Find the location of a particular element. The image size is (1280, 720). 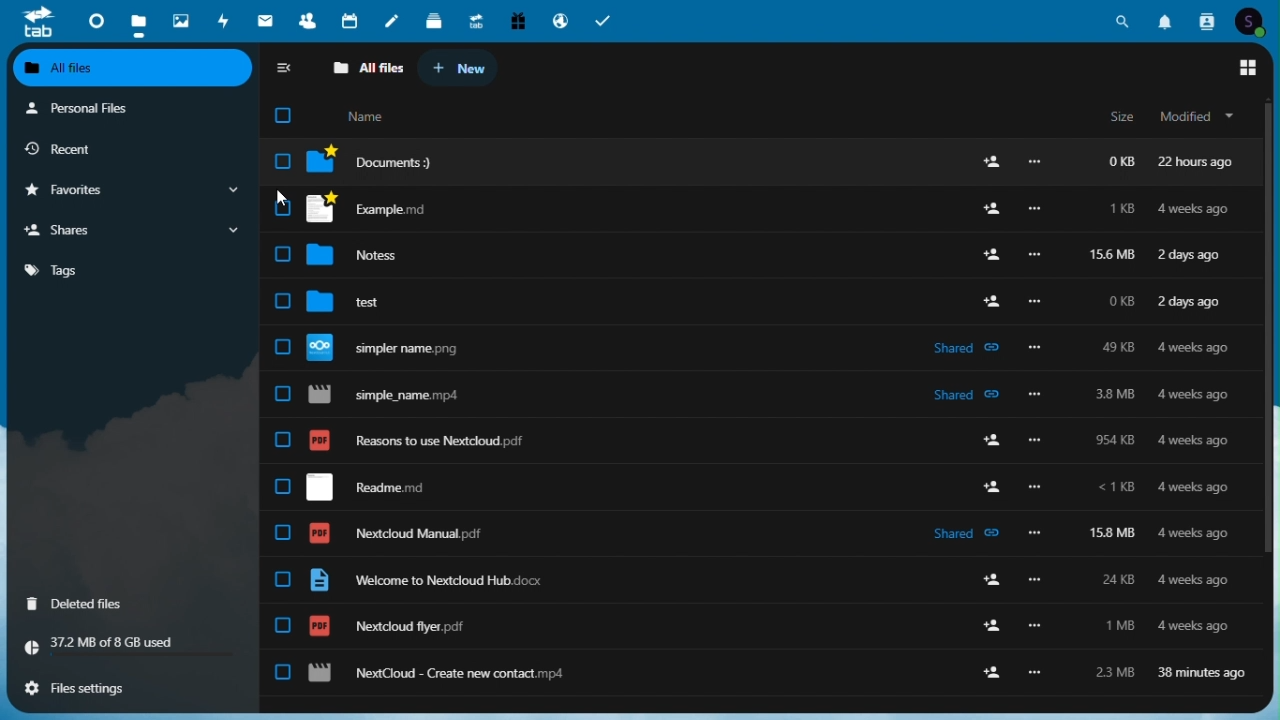

Share is located at coordinates (128, 229).